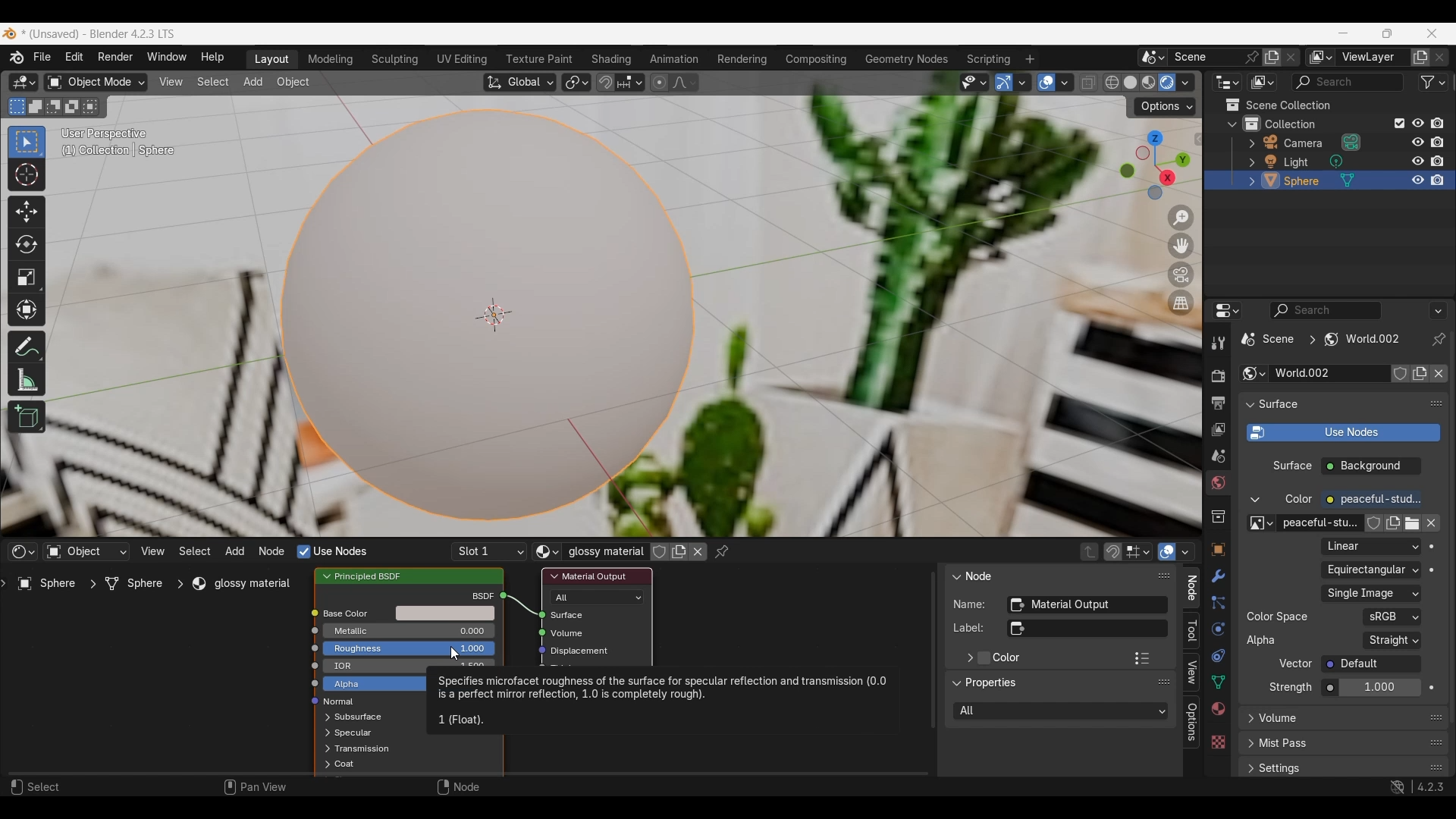 This screenshot has width=1456, height=819. Describe the element at coordinates (1371, 500) in the screenshot. I see `Color of the emitted light` at that location.